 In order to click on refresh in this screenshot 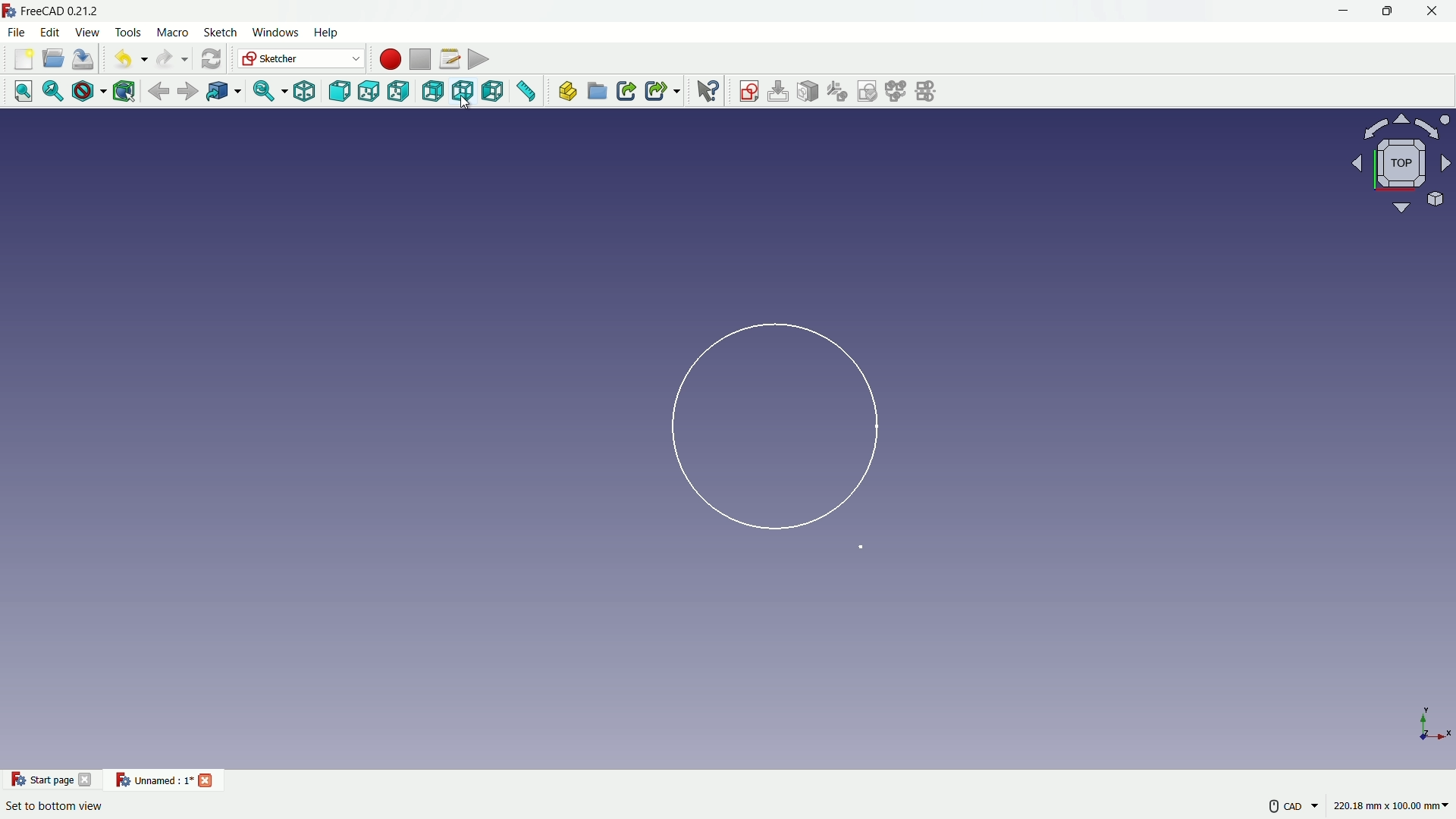, I will do `click(210, 58)`.